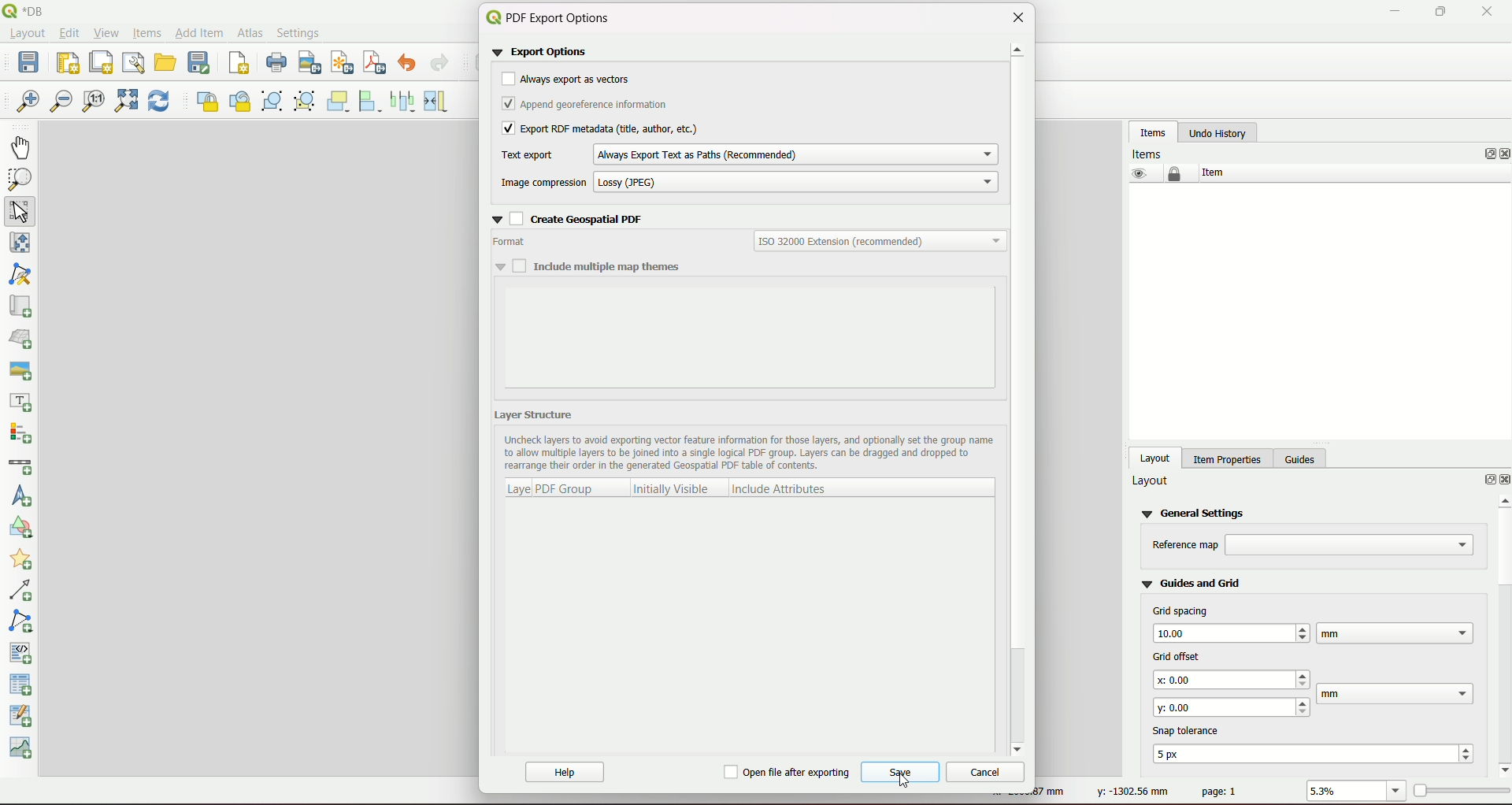 The width and height of the screenshot is (1512, 805). I want to click on text, so click(1190, 729).